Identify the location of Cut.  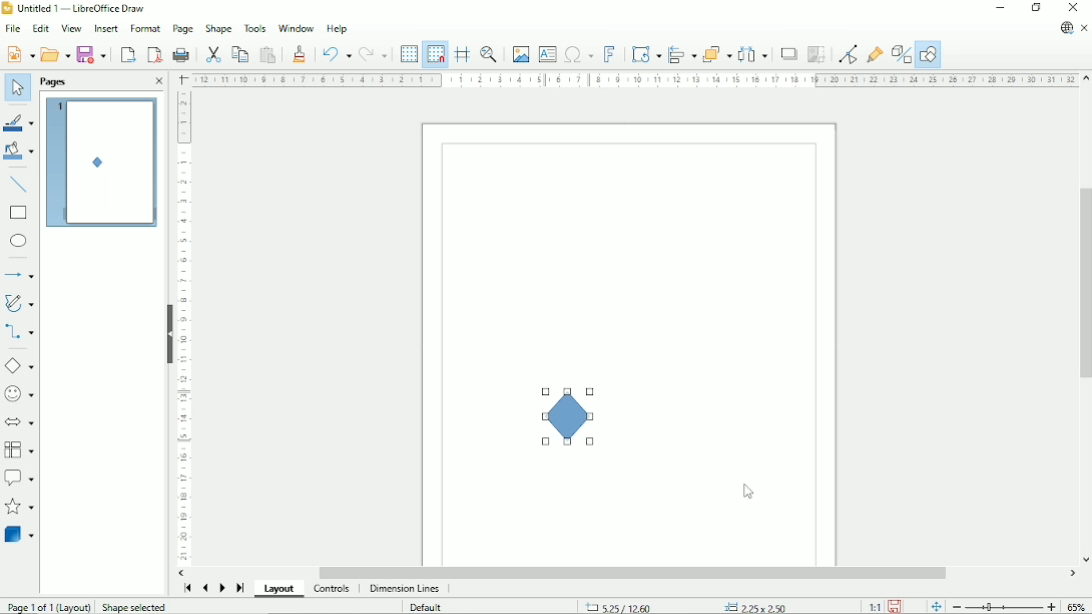
(213, 53).